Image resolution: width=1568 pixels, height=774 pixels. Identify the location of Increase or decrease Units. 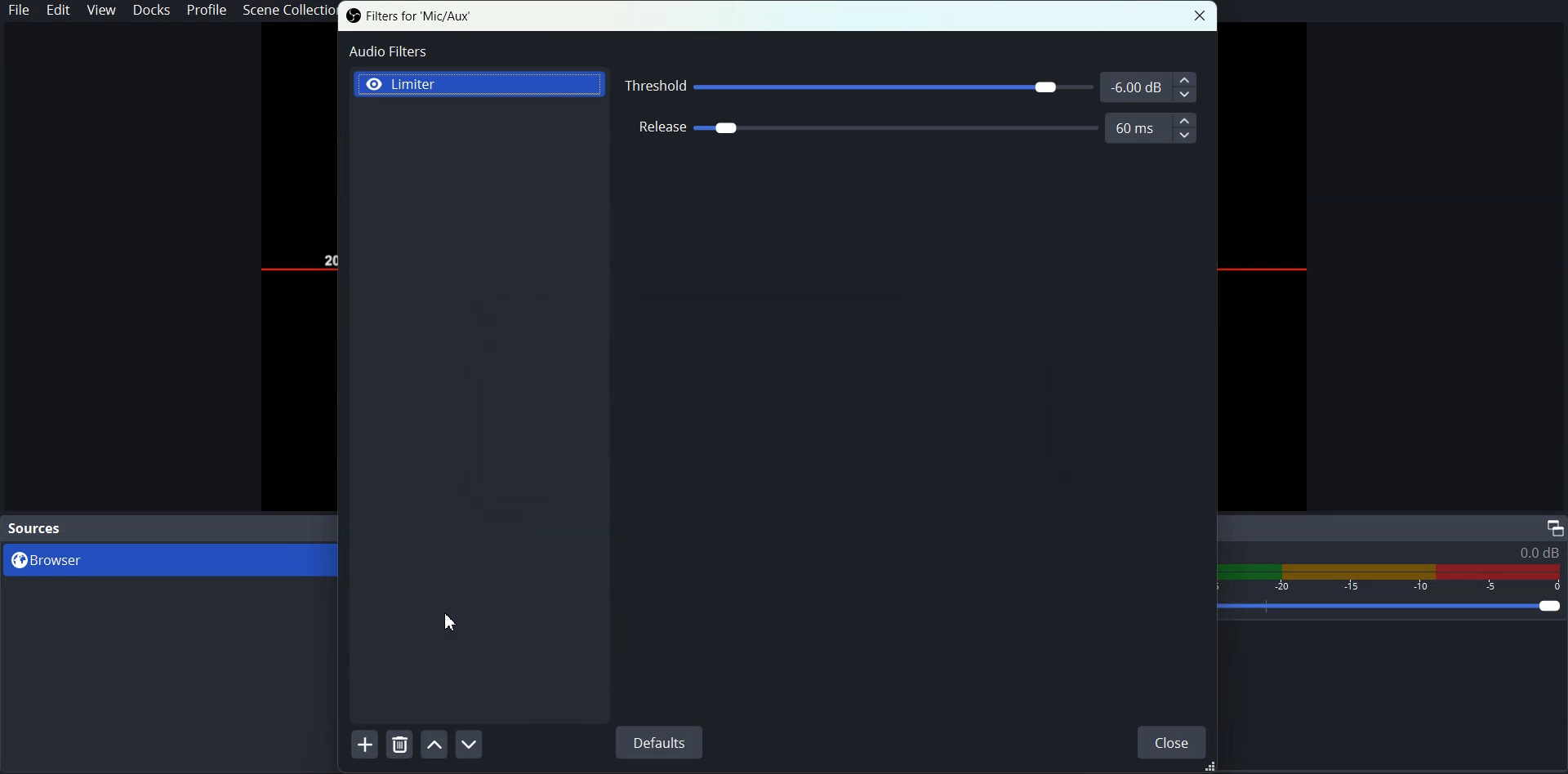
(1185, 127).